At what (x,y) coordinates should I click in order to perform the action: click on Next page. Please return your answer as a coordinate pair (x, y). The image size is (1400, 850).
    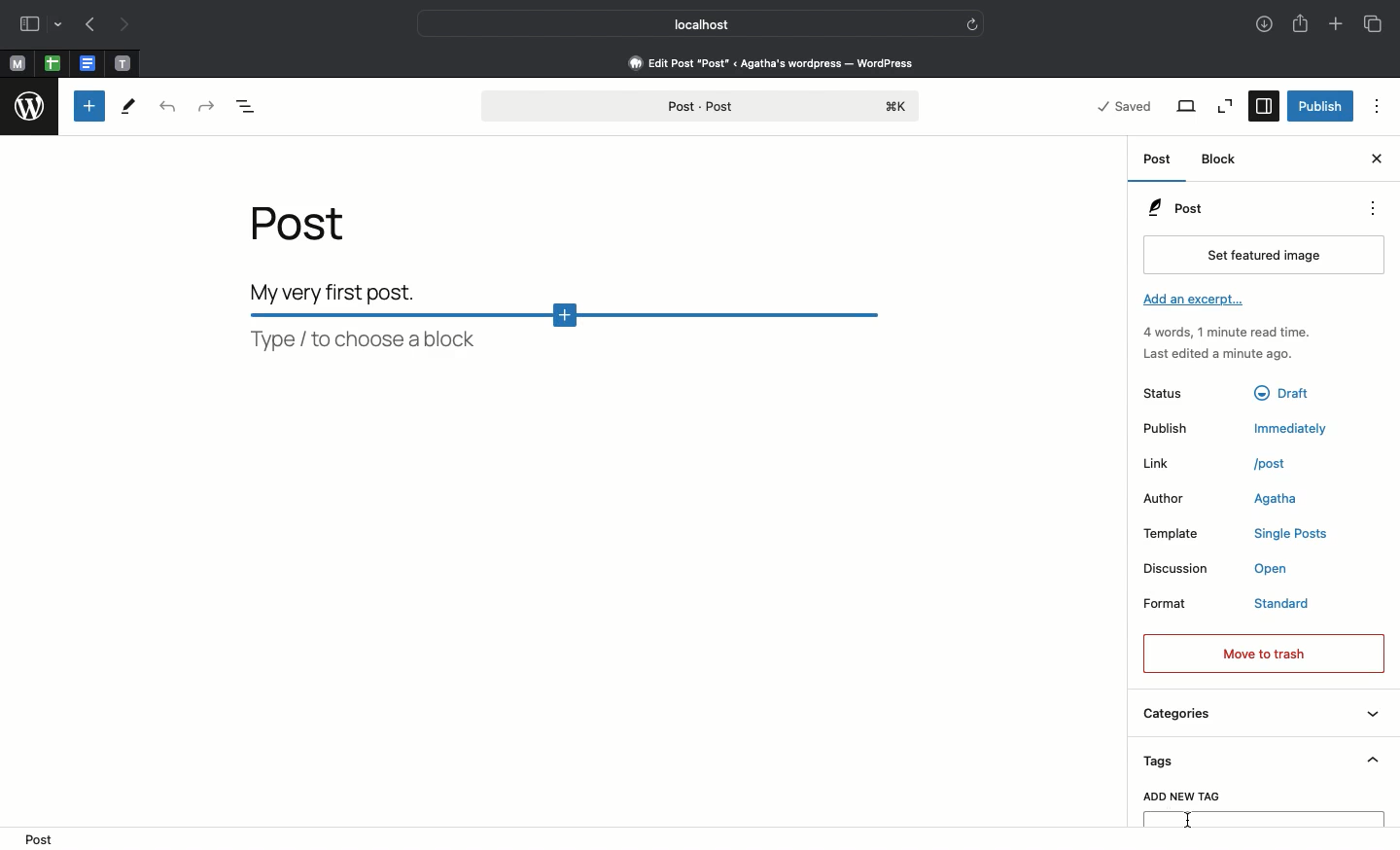
    Looking at the image, I should click on (122, 24).